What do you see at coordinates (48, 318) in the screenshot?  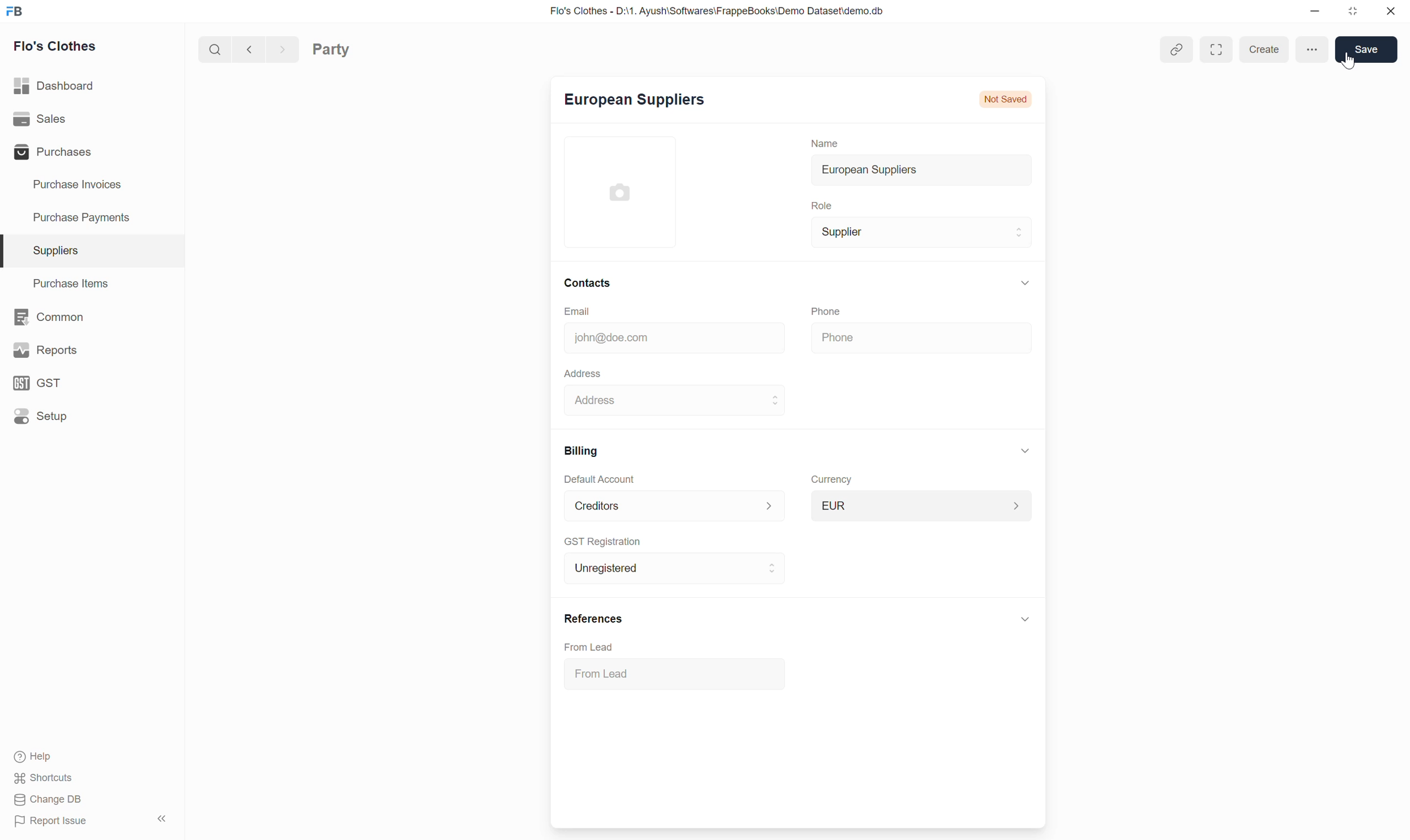 I see `common` at bounding box center [48, 318].